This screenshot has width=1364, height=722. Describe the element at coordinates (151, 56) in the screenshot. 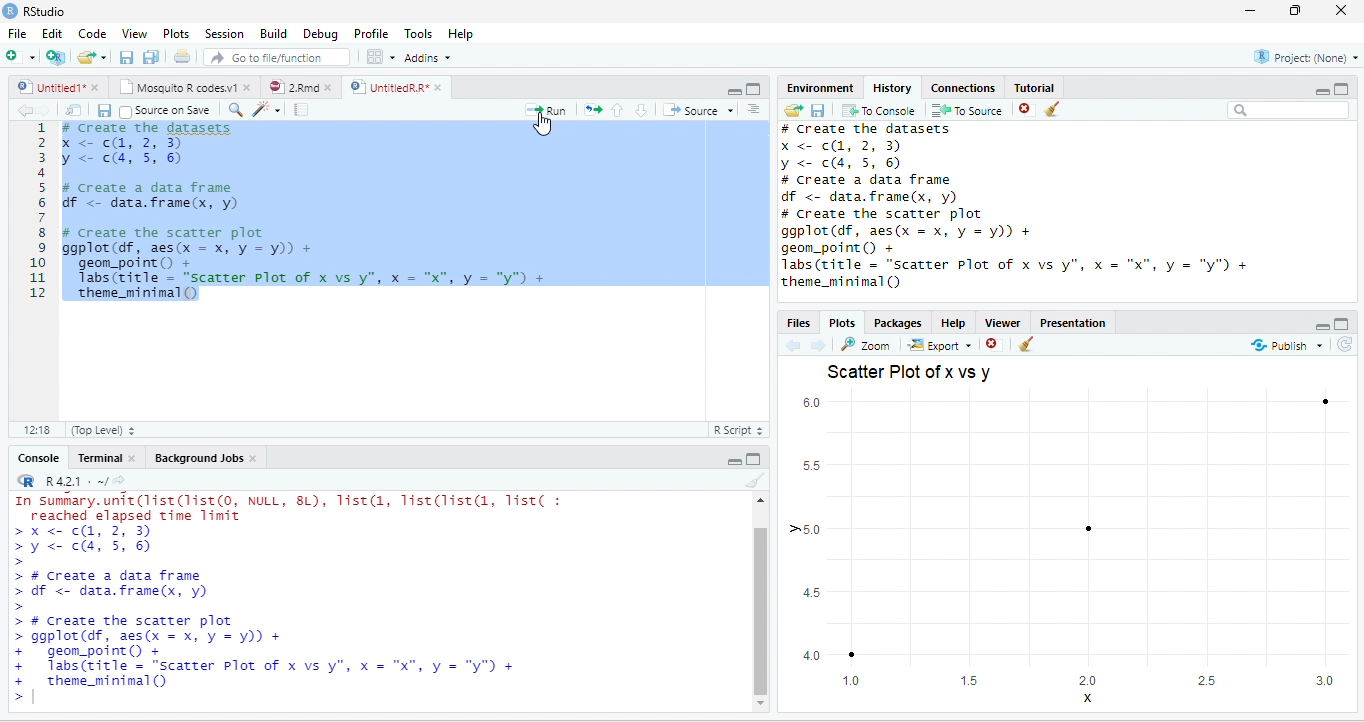

I see `Save all open documents` at that location.